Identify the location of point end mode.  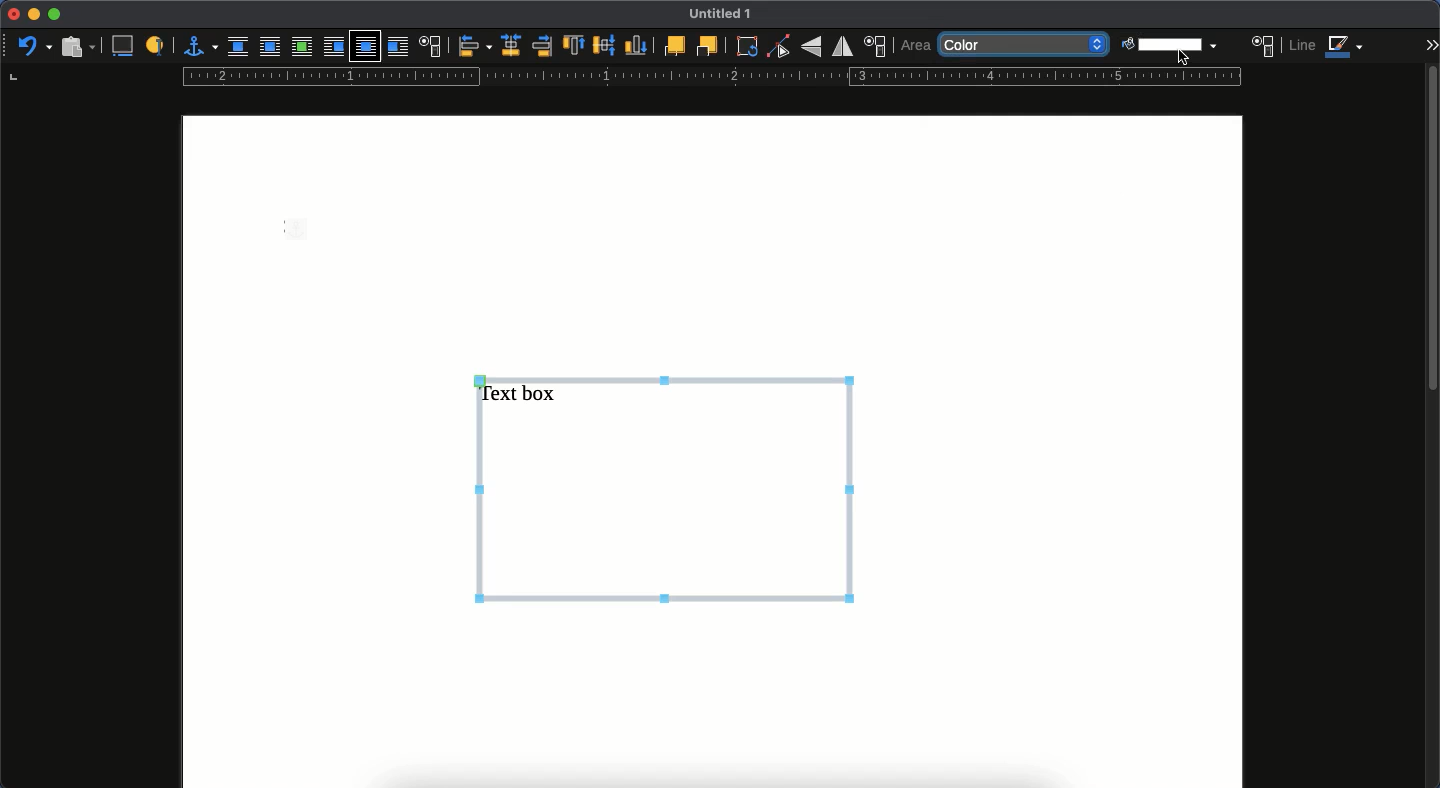
(779, 47).